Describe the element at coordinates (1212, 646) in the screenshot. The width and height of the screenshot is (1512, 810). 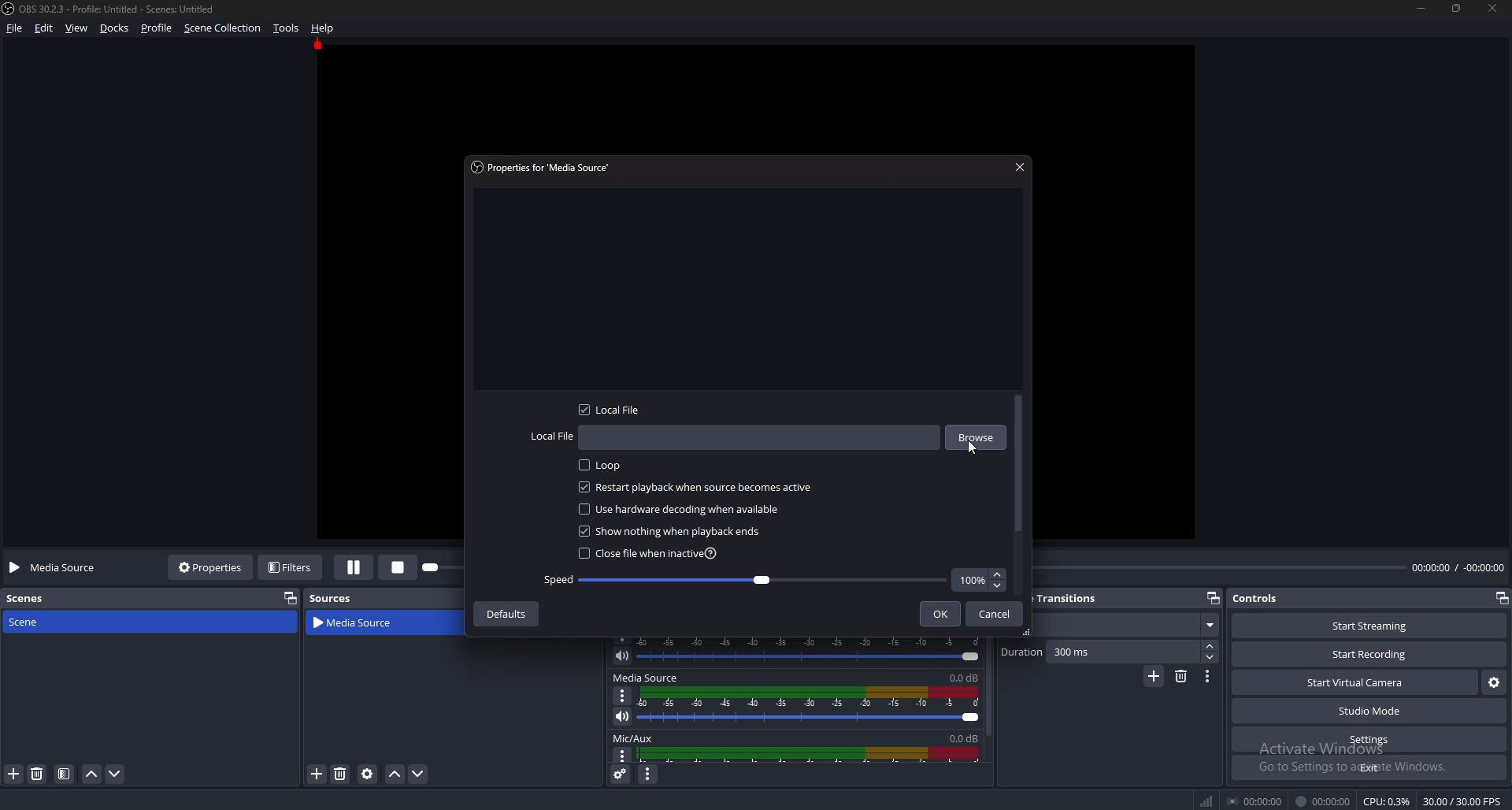
I see `Increase duration` at that location.